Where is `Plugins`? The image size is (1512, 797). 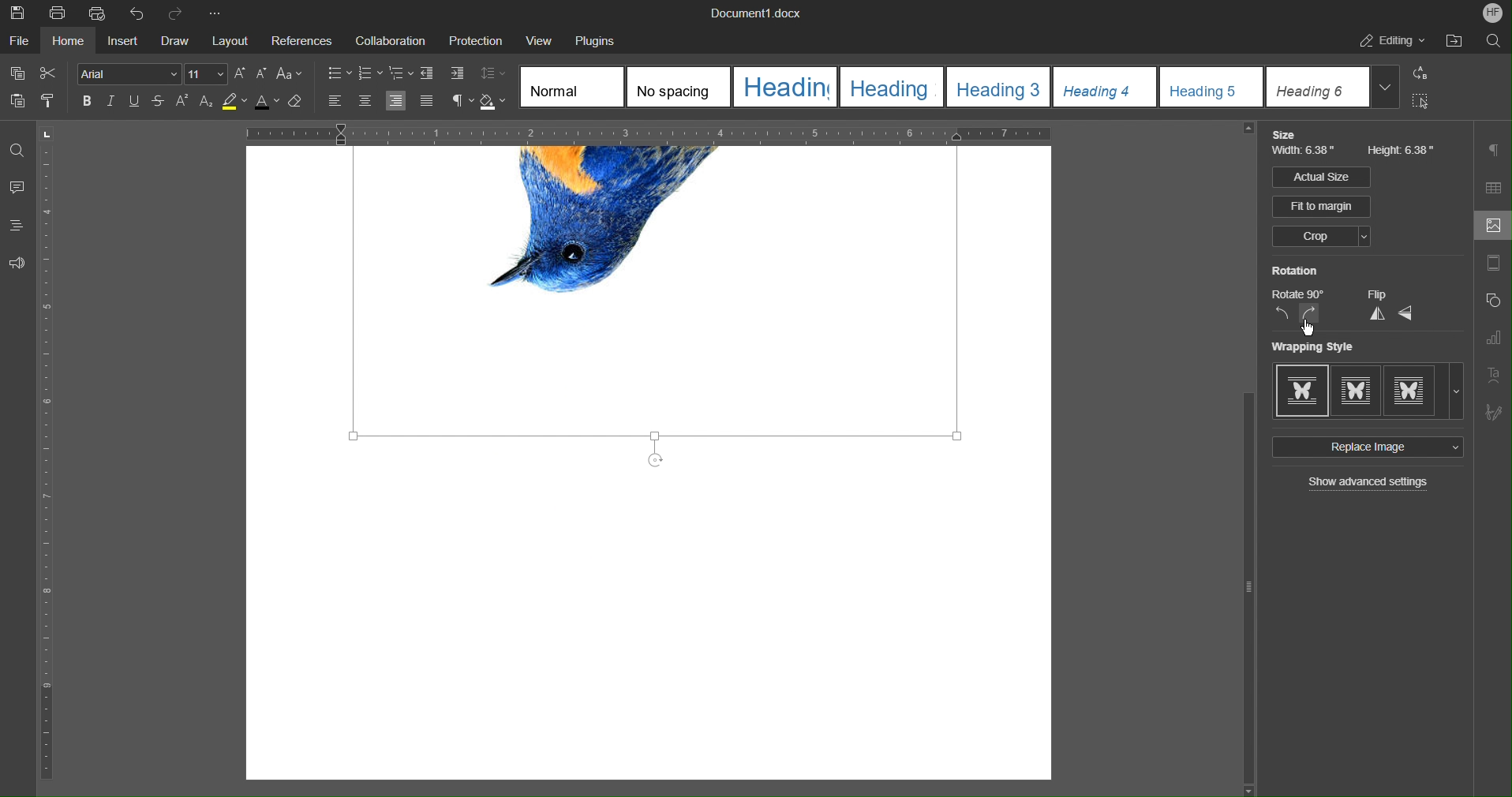 Plugins is located at coordinates (592, 38).